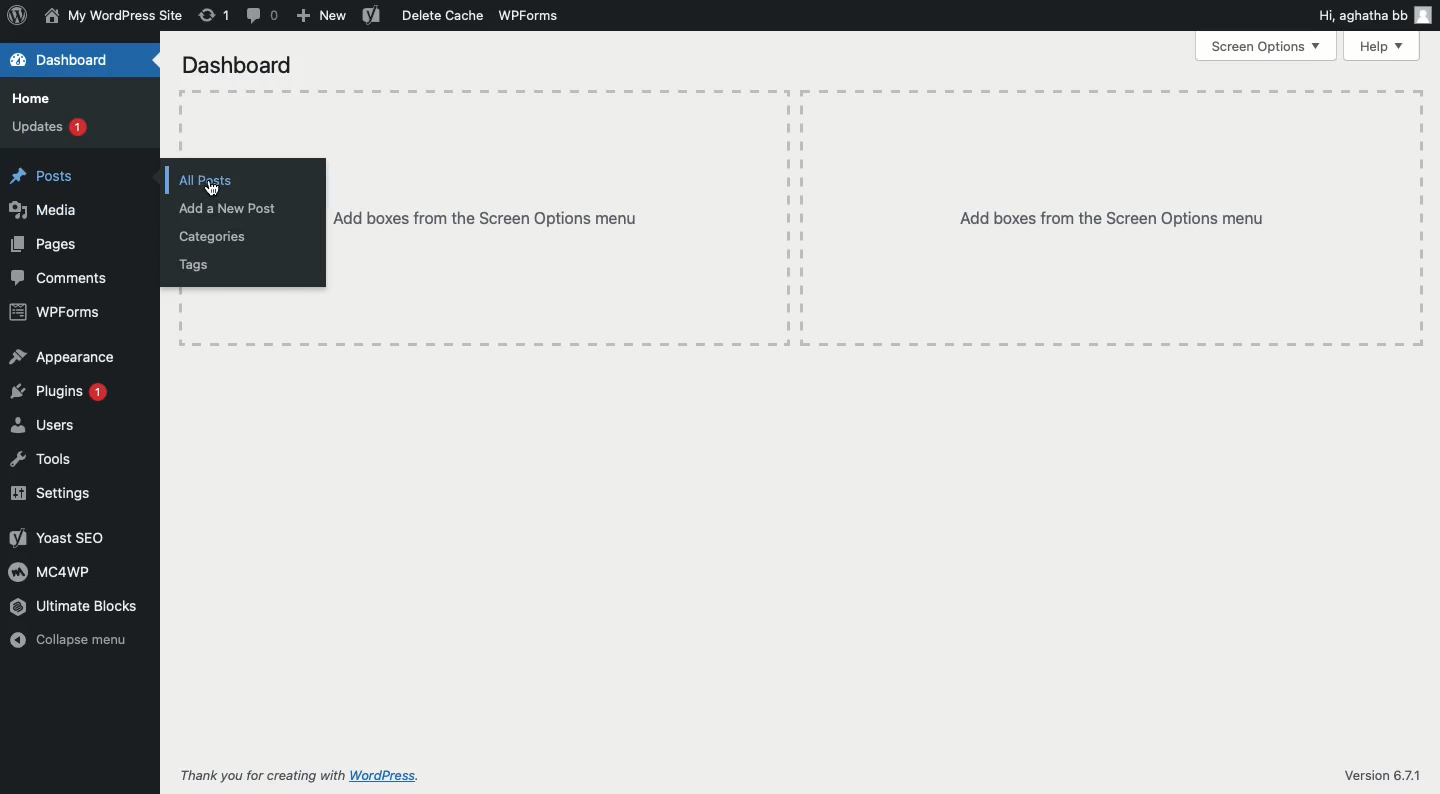  What do you see at coordinates (214, 238) in the screenshot?
I see `categories` at bounding box center [214, 238].